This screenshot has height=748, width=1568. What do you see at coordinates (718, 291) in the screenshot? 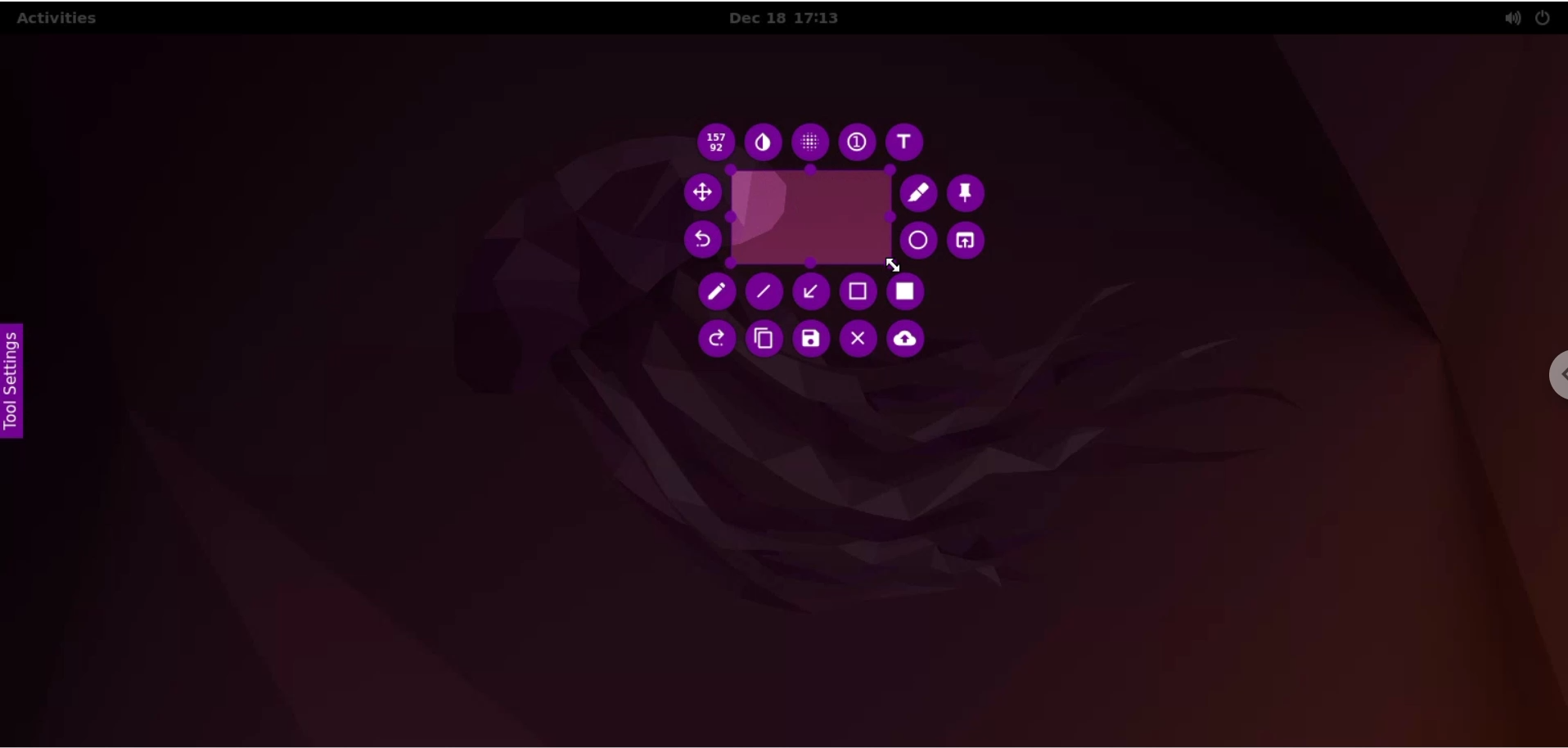
I see `pencil` at bounding box center [718, 291].